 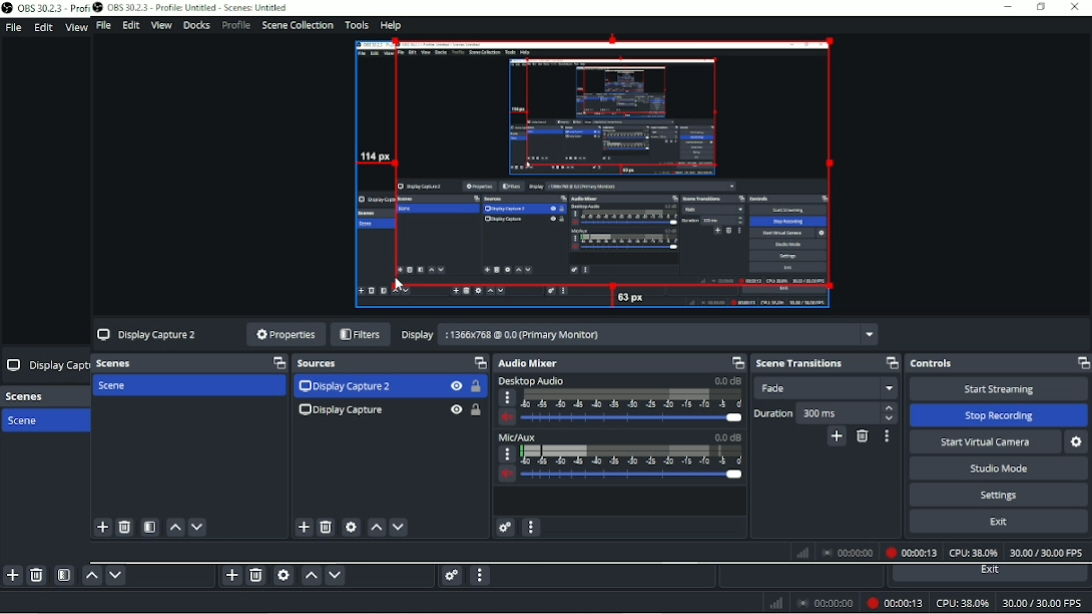 I want to click on Display Capture 2, so click(x=348, y=387).